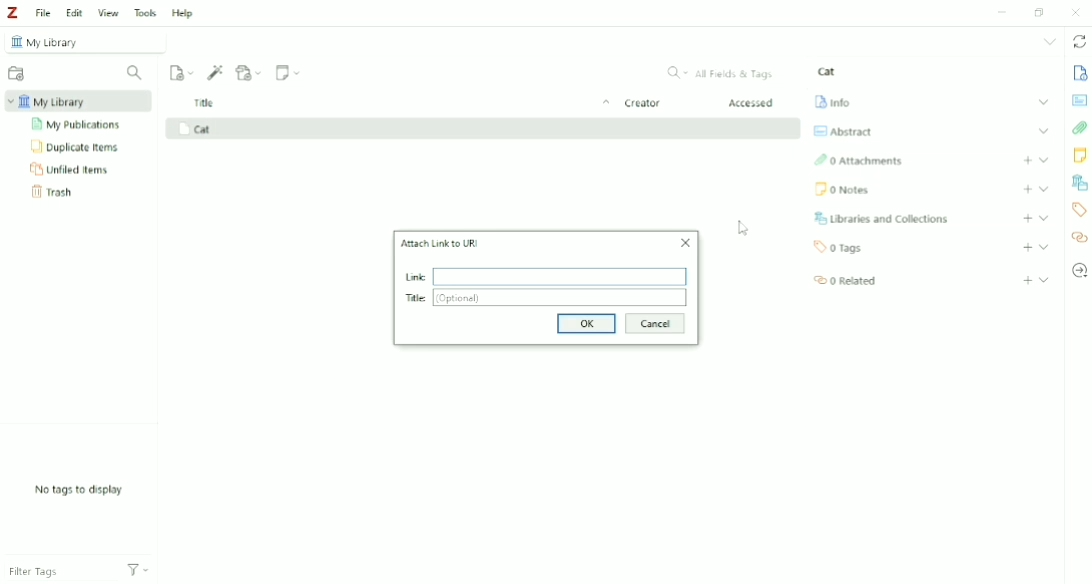 This screenshot has width=1092, height=584. What do you see at coordinates (79, 101) in the screenshot?
I see `My Librar` at bounding box center [79, 101].